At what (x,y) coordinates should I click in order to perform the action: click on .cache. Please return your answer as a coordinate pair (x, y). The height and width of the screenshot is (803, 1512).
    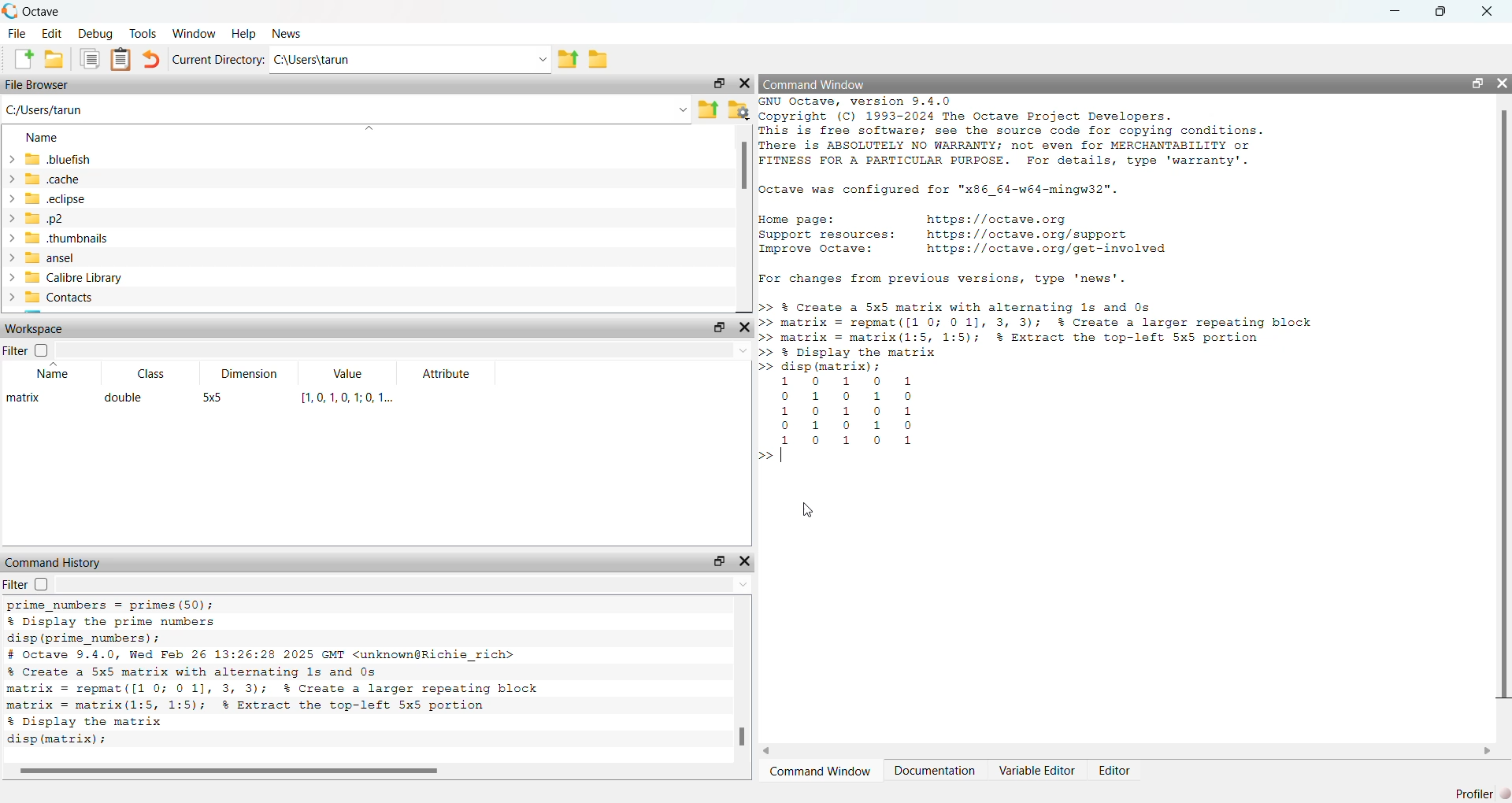
    Looking at the image, I should click on (52, 179).